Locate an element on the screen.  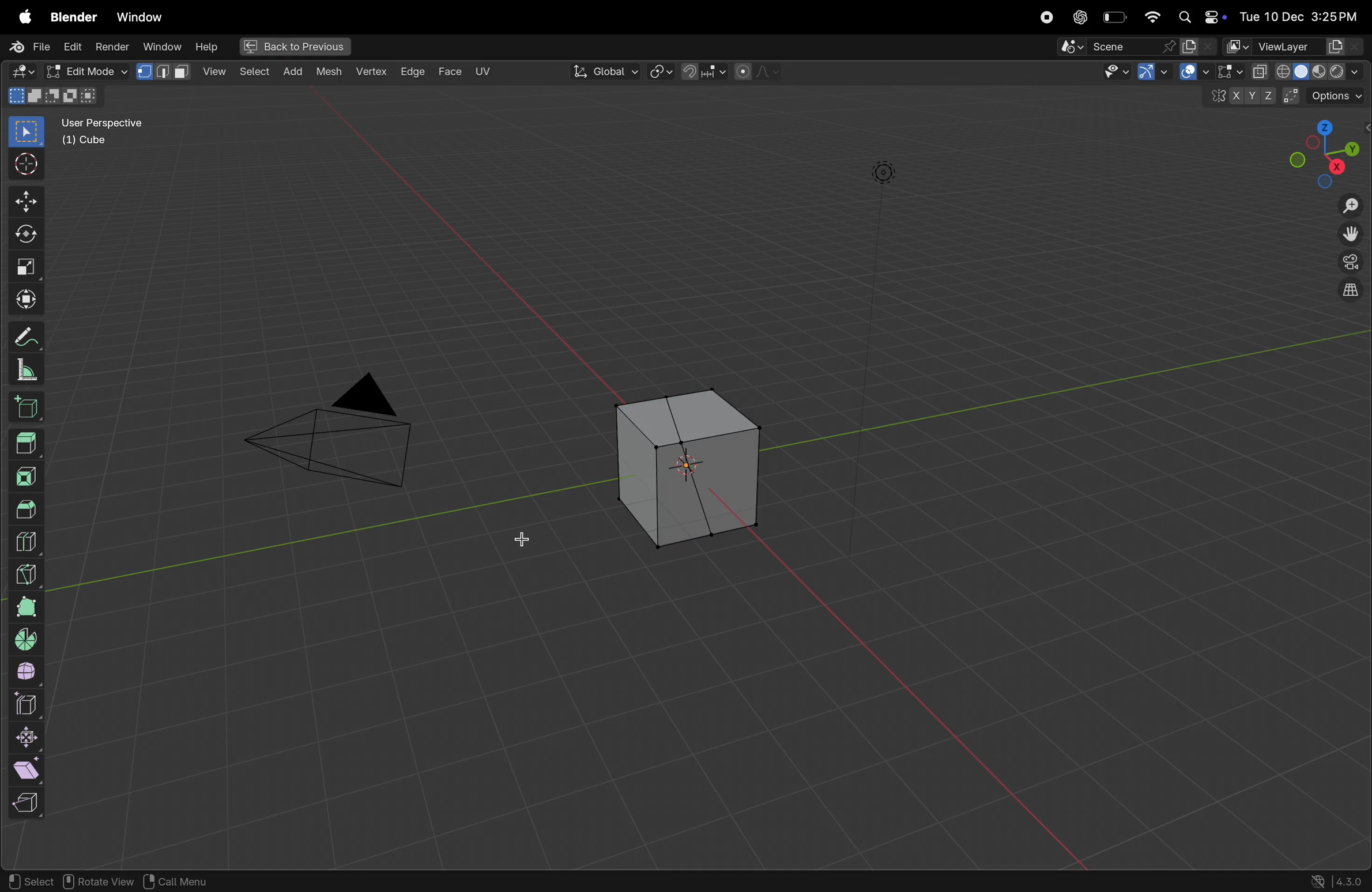
Call Menu is located at coordinates (175, 881).